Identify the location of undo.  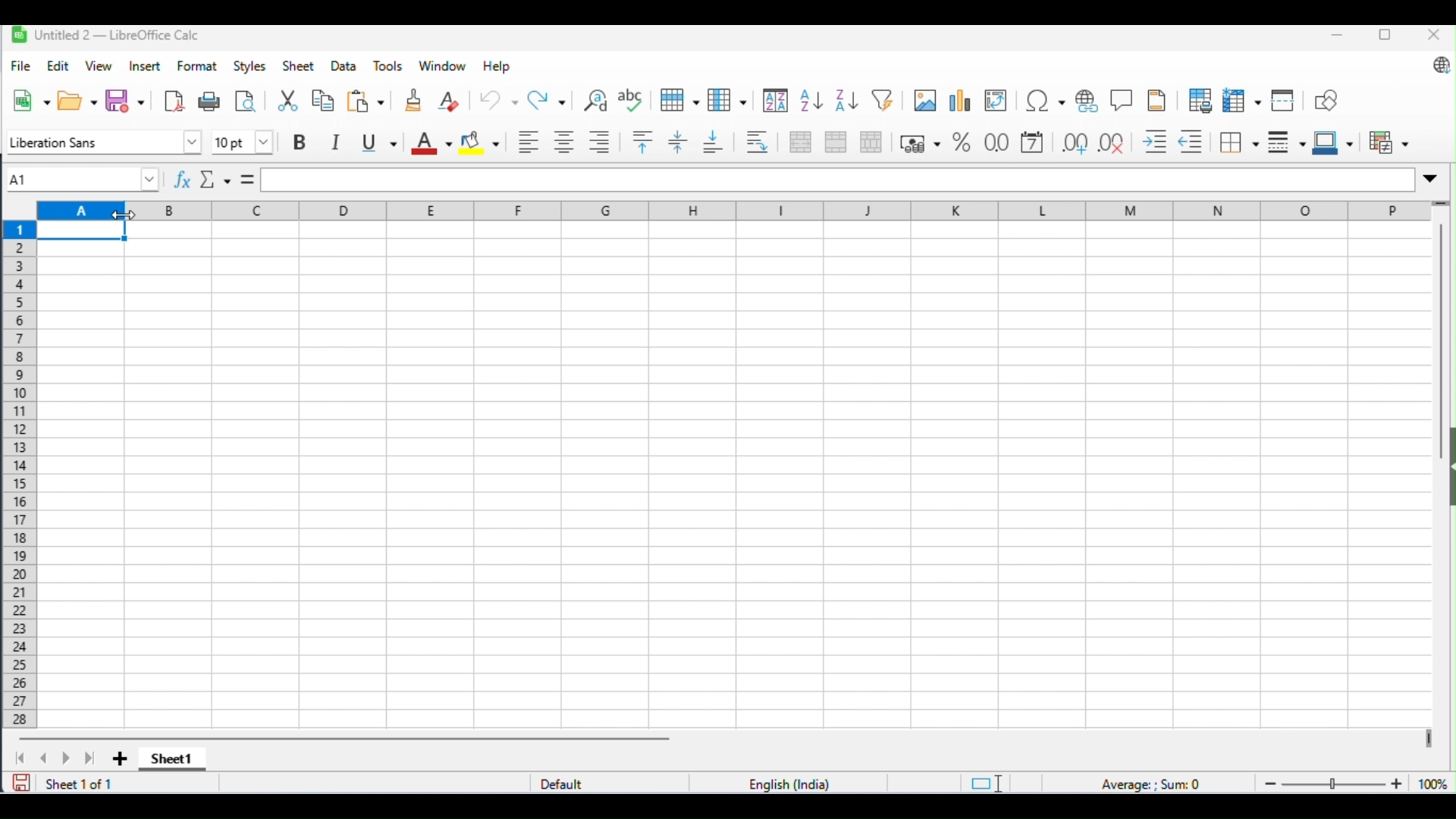
(499, 99).